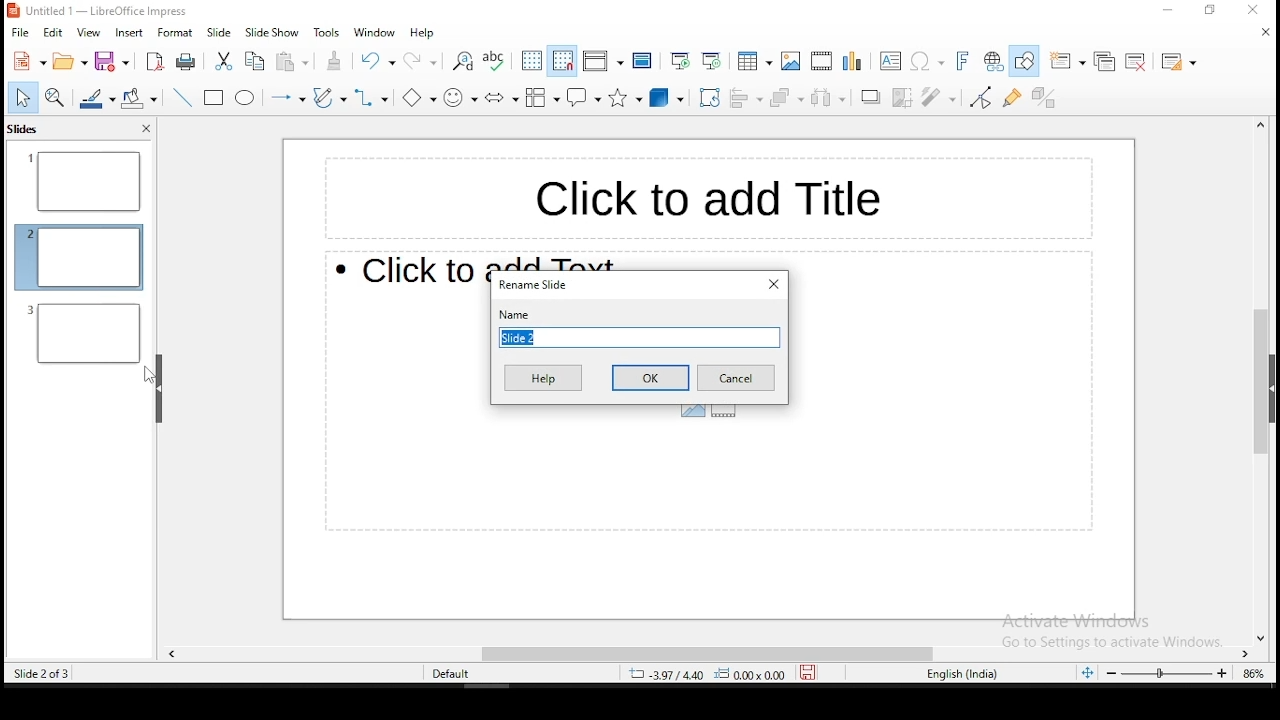 Image resolution: width=1280 pixels, height=720 pixels. What do you see at coordinates (84, 182) in the screenshot?
I see `slide 1` at bounding box center [84, 182].